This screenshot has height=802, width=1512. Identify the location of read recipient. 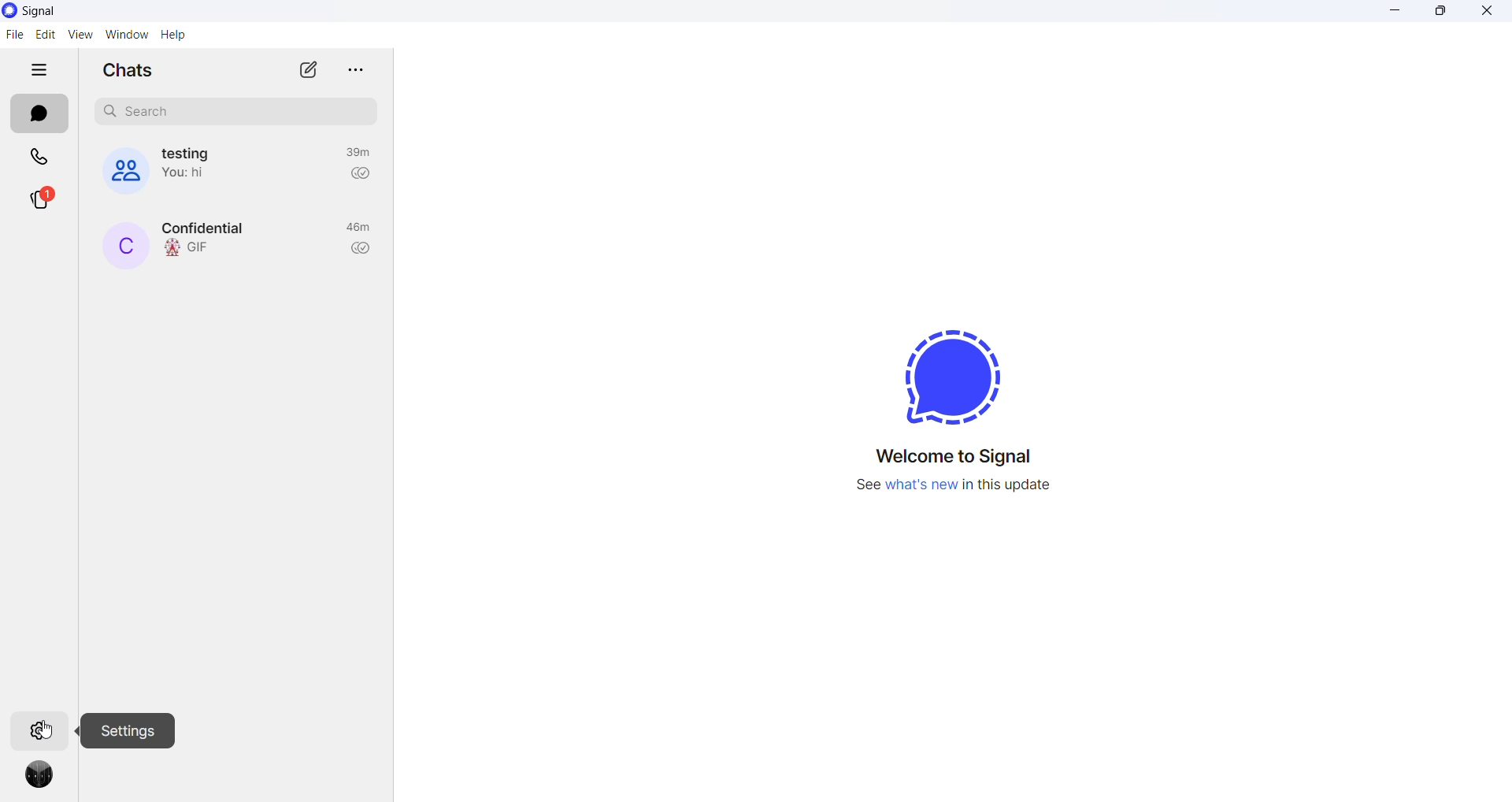
(360, 177).